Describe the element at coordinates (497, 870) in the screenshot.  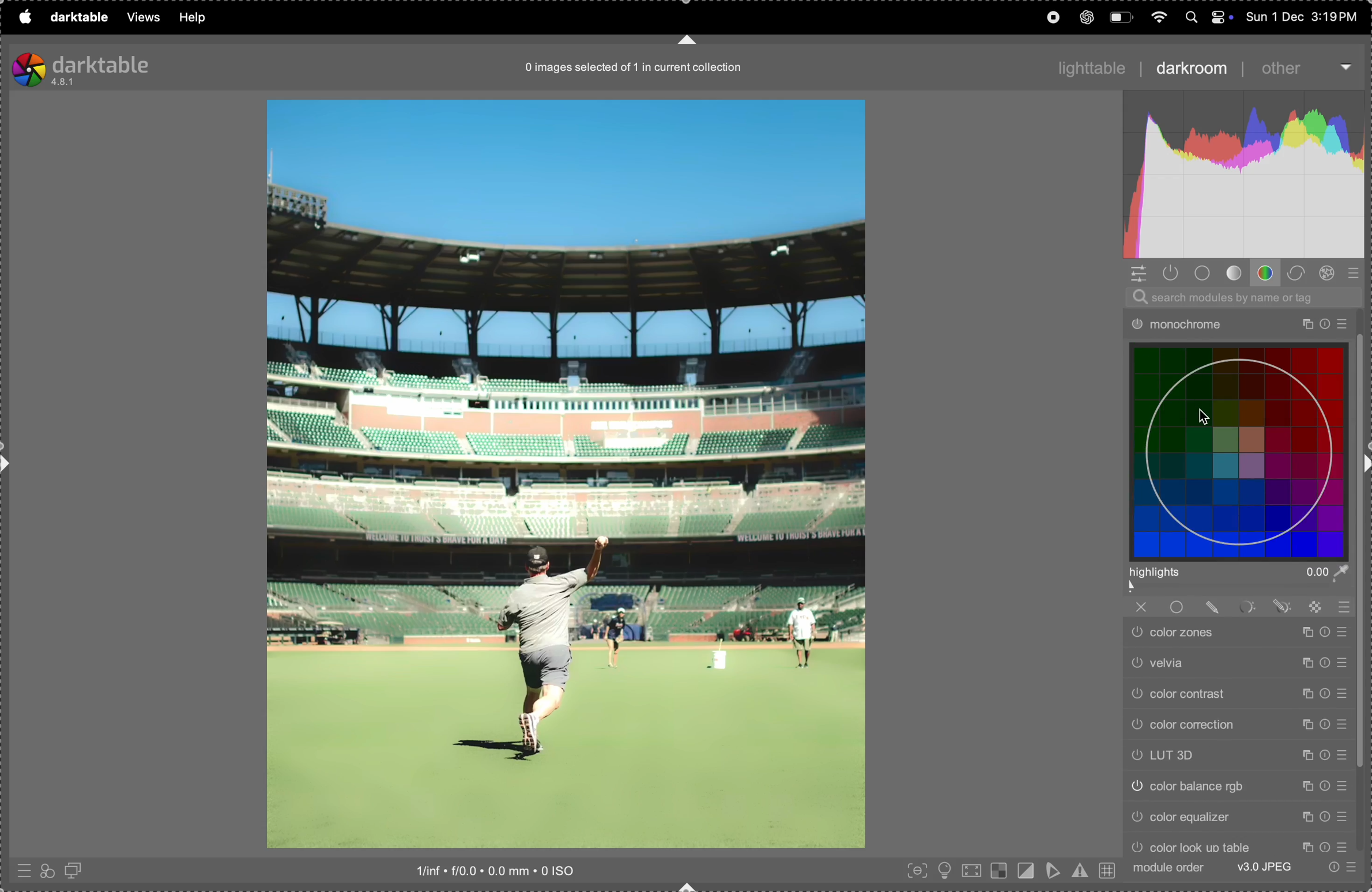
I see `iso` at that location.